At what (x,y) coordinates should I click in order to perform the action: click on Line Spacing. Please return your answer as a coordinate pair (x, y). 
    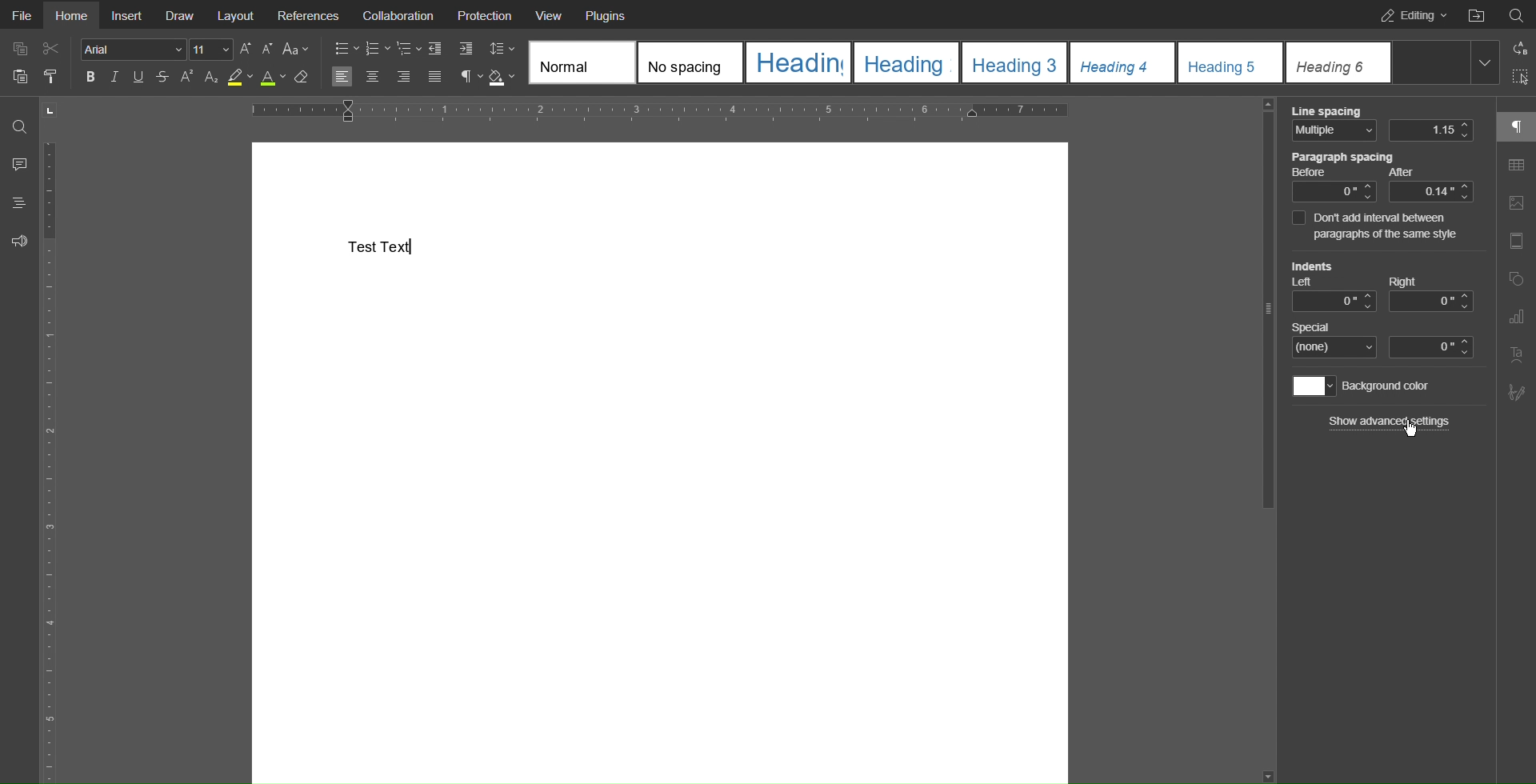
    Looking at the image, I should click on (501, 47).